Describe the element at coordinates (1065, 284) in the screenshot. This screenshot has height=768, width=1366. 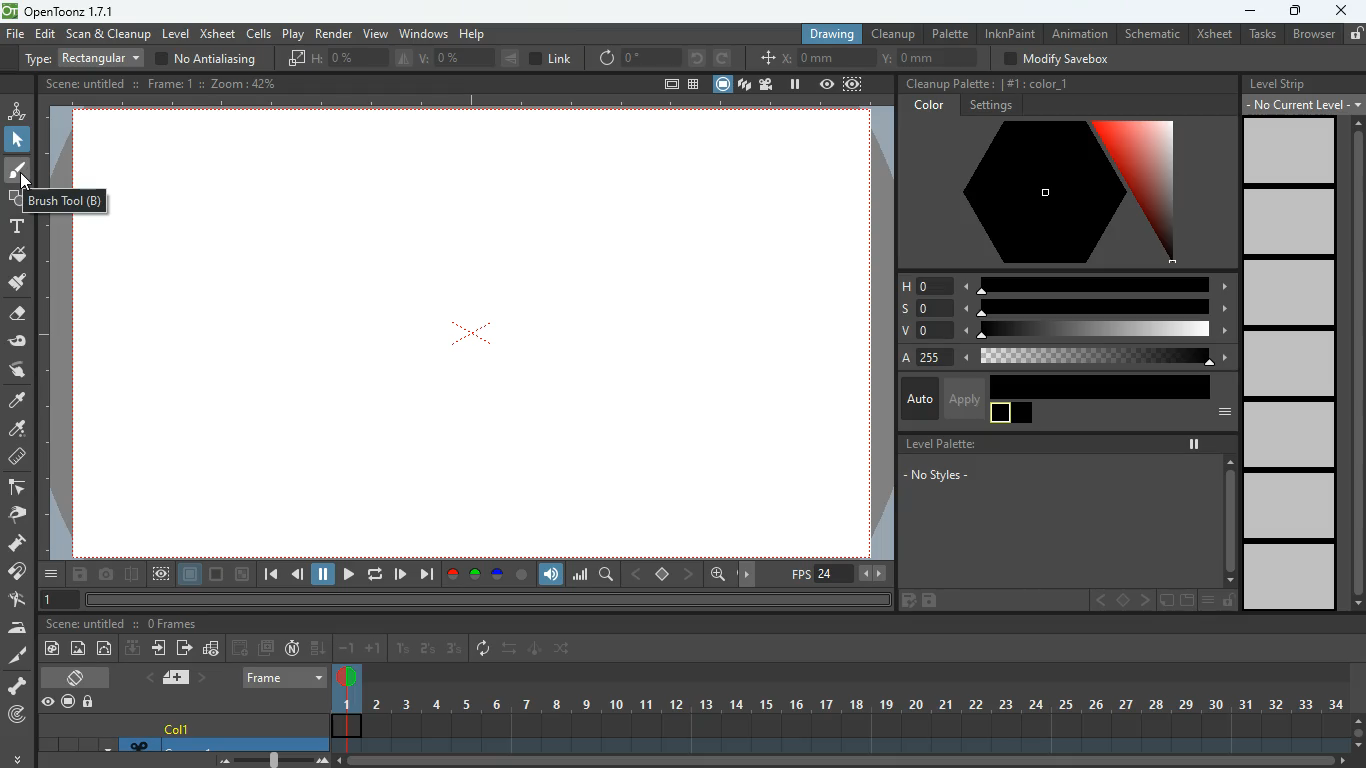
I see `h` at that location.